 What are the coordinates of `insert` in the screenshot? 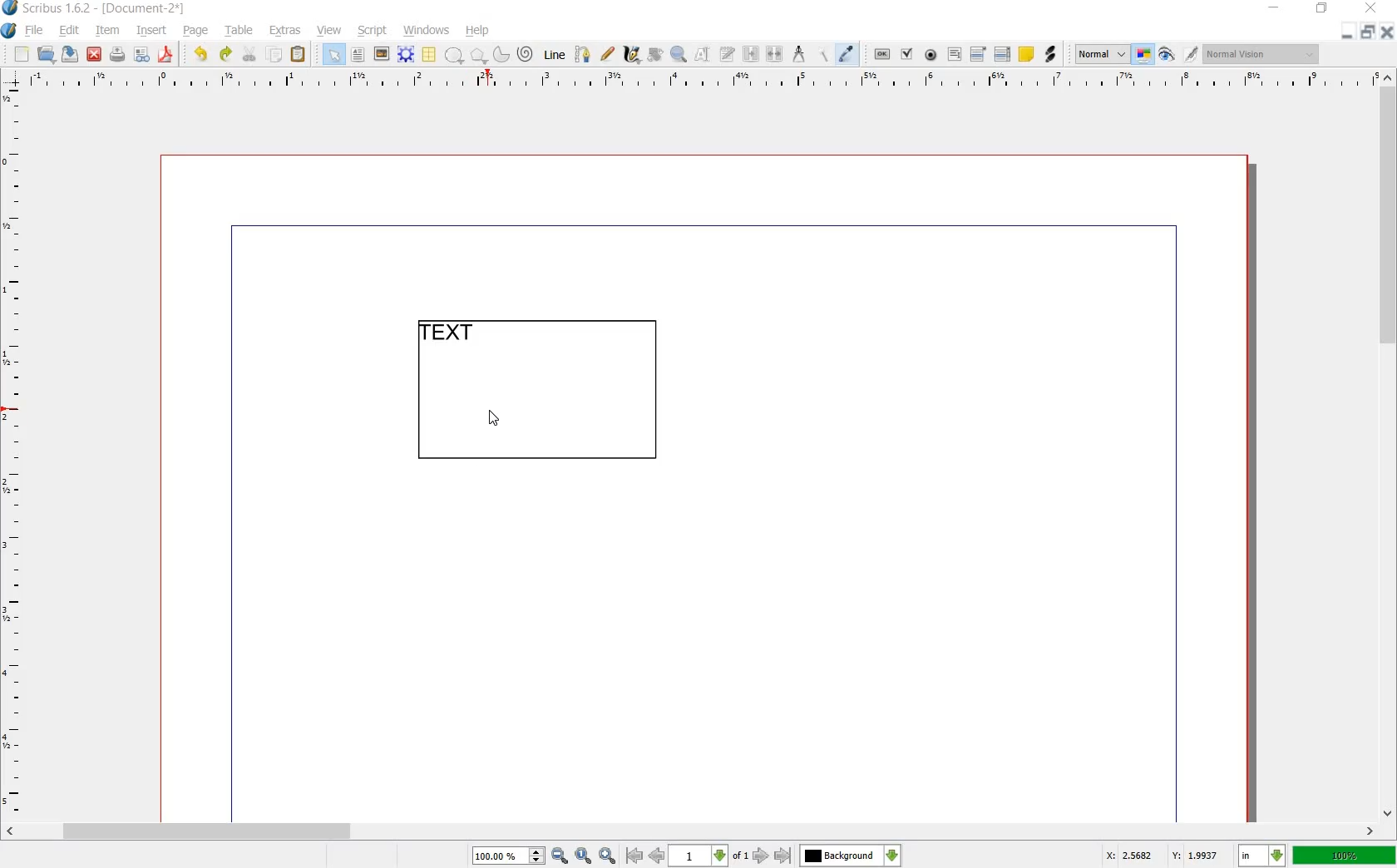 It's located at (152, 32).